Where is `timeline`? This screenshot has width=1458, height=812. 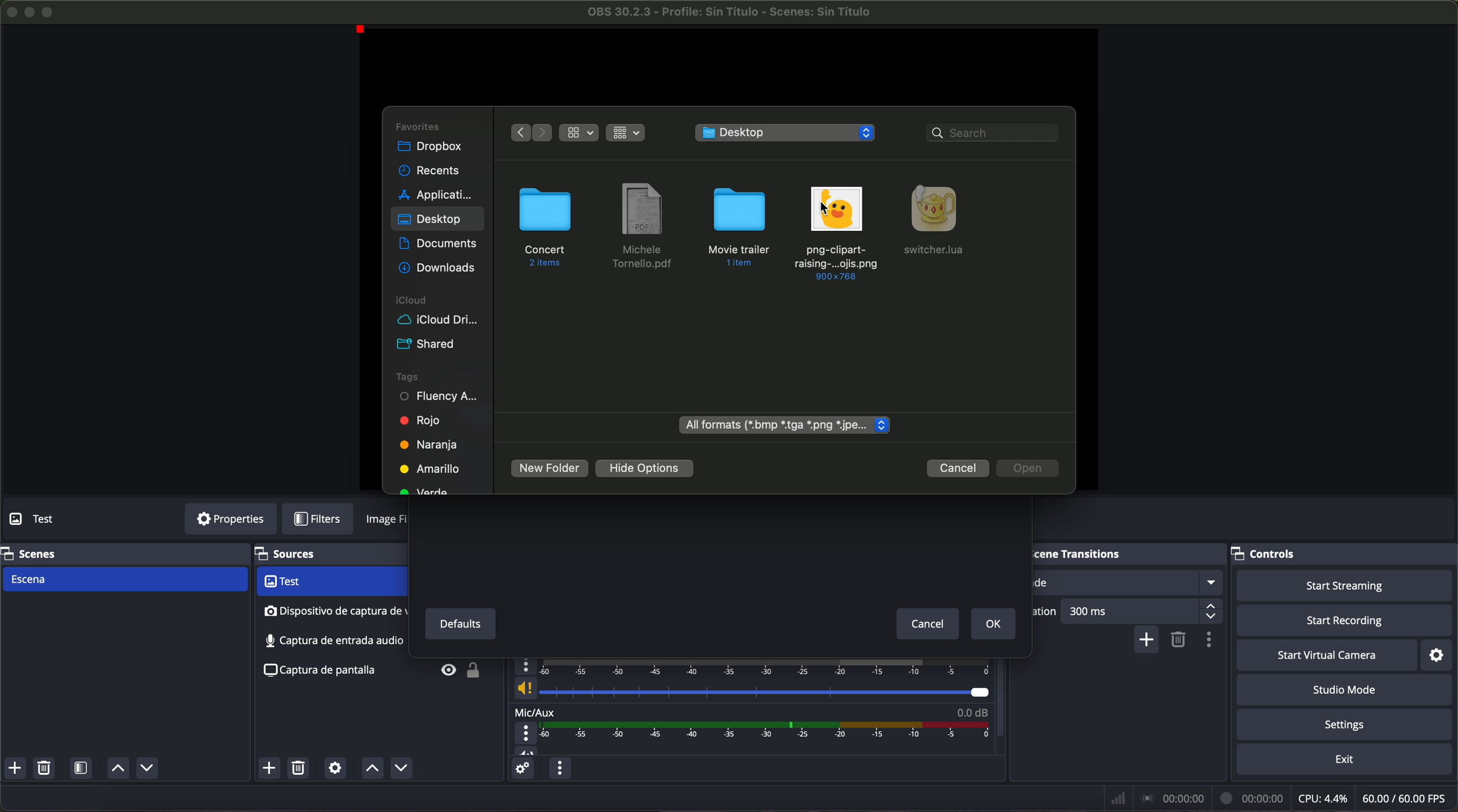
timeline is located at coordinates (755, 667).